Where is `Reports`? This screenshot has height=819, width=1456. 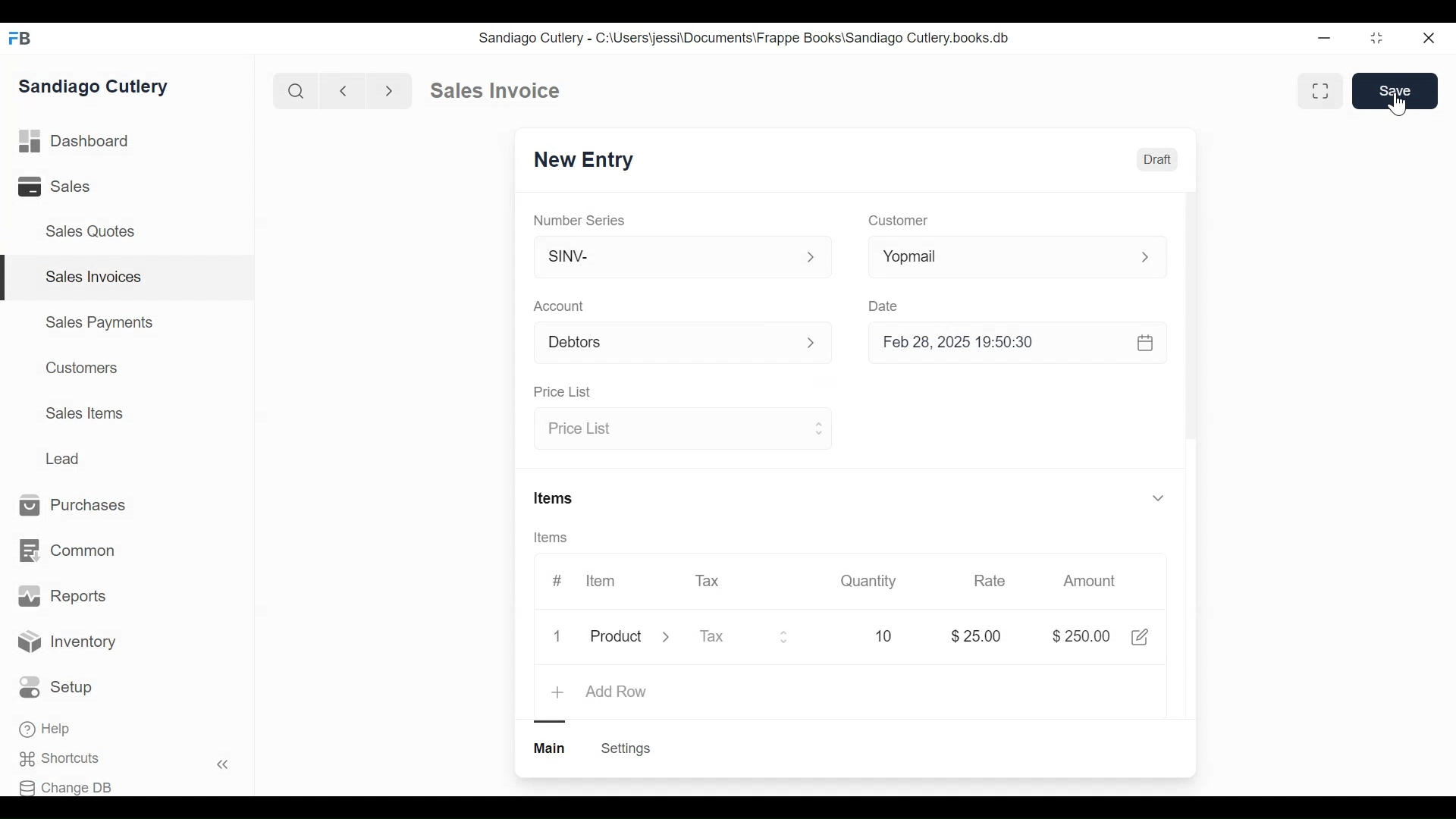
Reports is located at coordinates (62, 596).